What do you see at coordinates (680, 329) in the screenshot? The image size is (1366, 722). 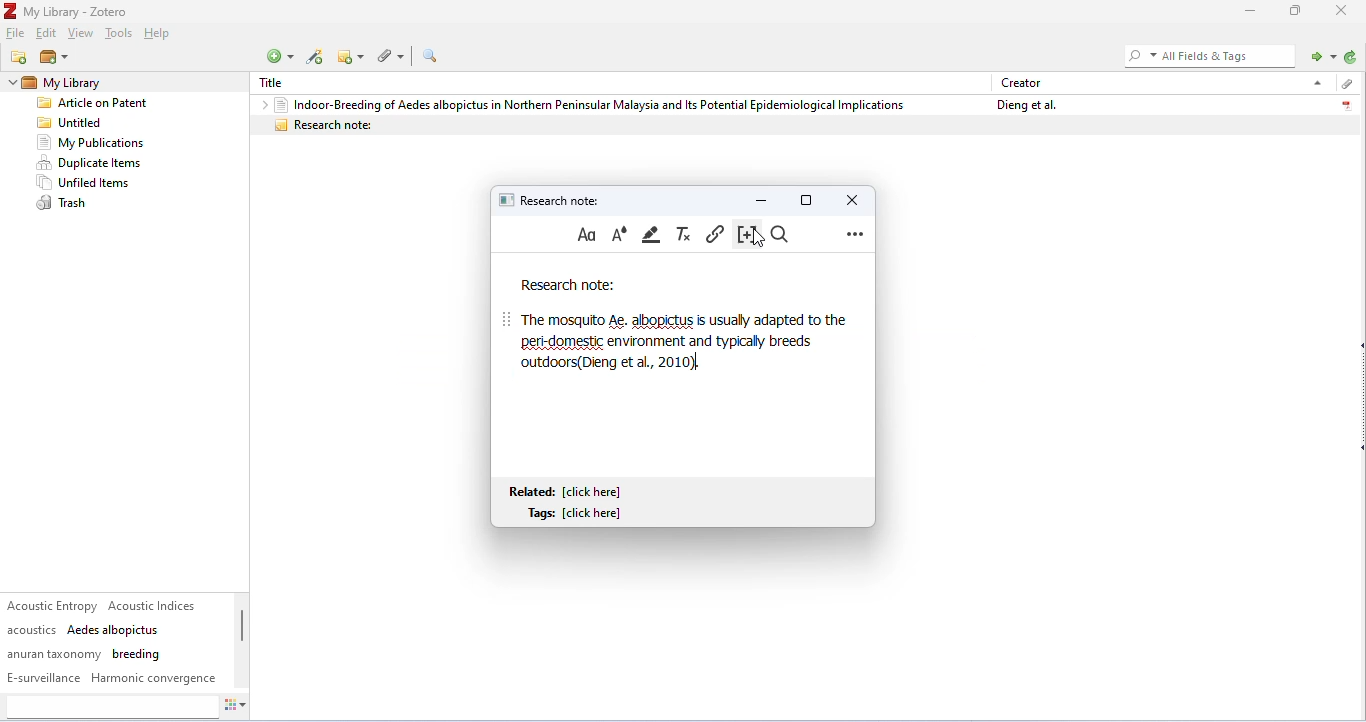 I see `text of research note` at bounding box center [680, 329].